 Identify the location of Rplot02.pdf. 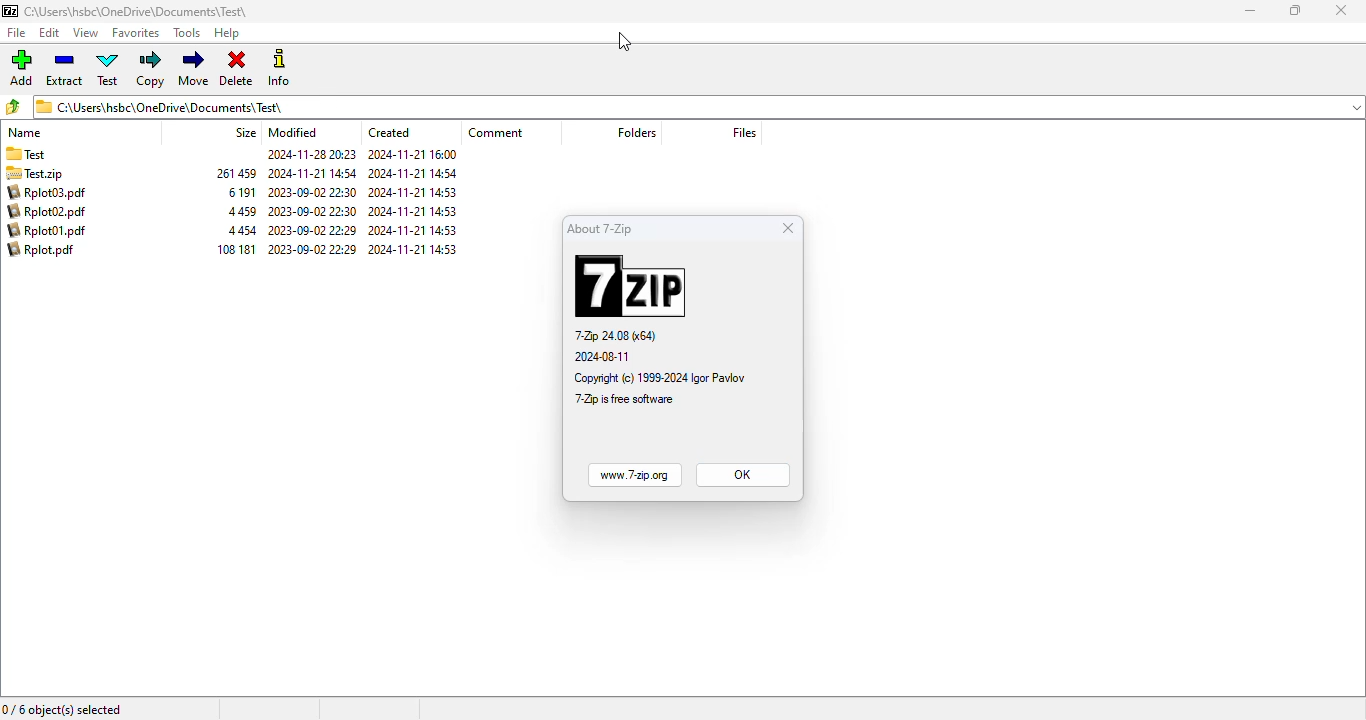
(44, 212).